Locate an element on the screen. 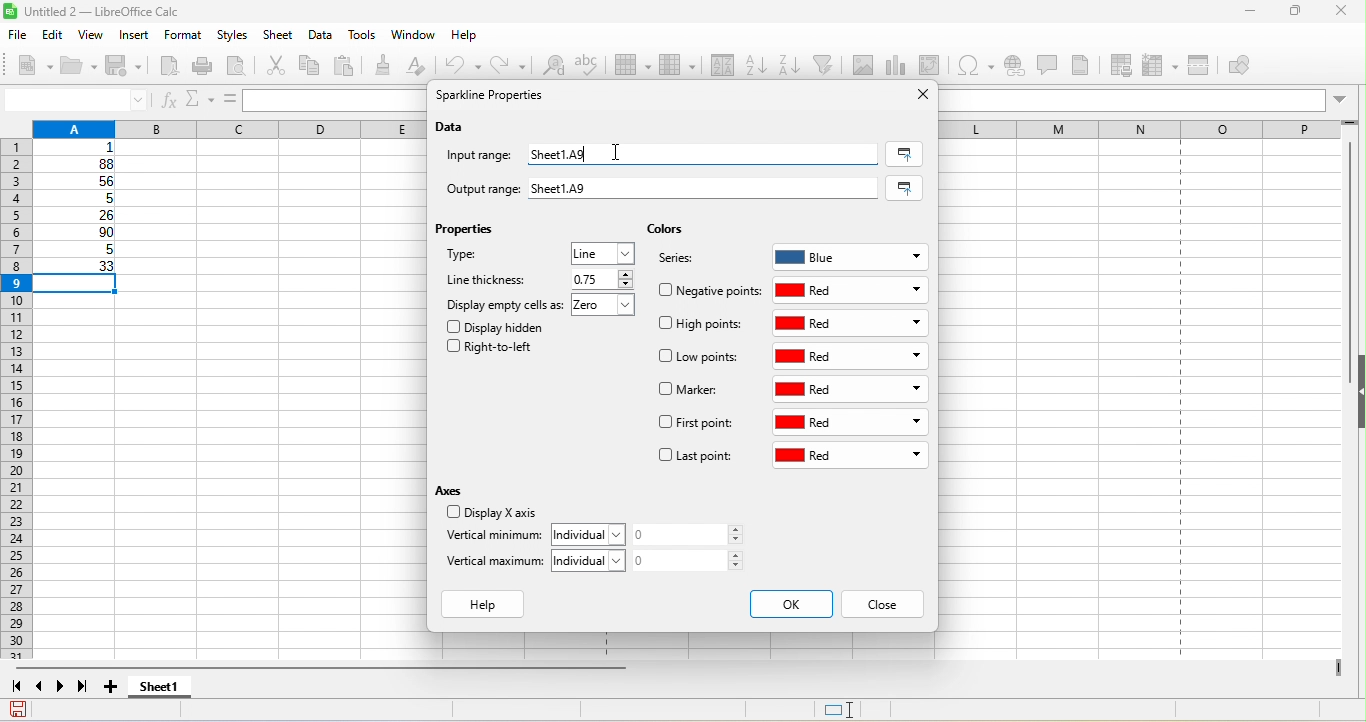  format is located at coordinates (181, 36).